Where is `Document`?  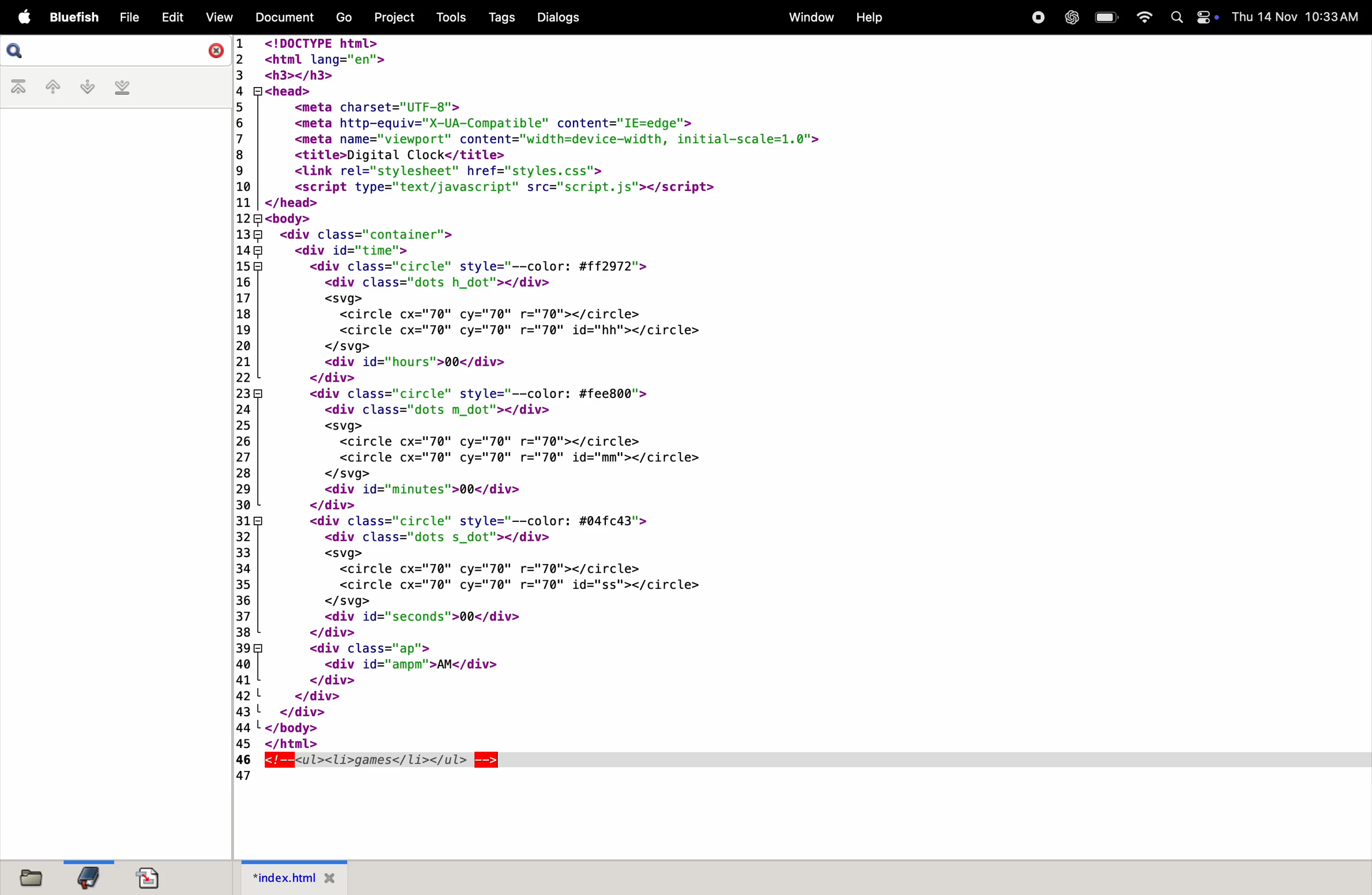
Document is located at coordinates (287, 16).